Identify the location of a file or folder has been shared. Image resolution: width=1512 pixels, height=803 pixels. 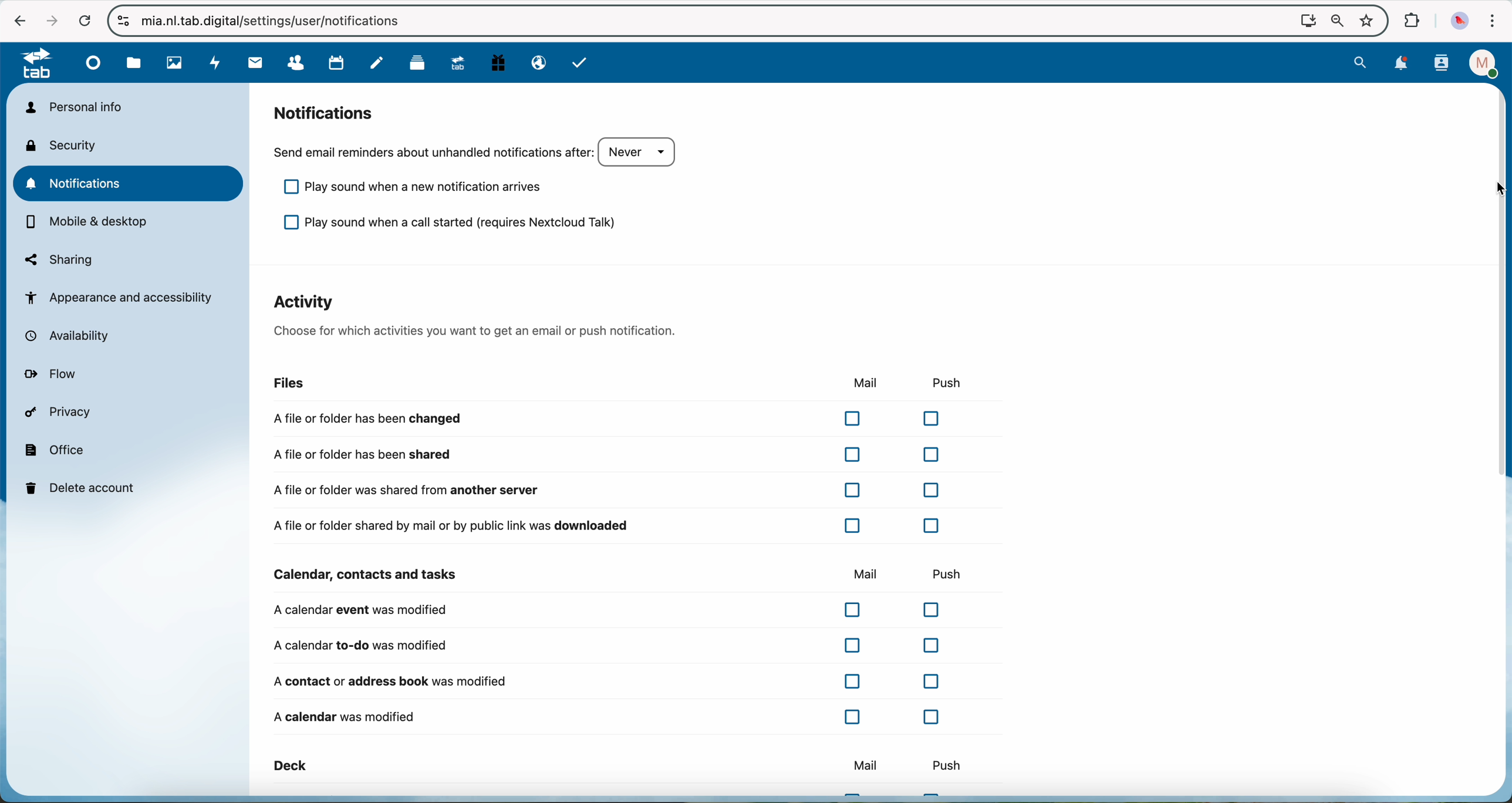
(606, 454).